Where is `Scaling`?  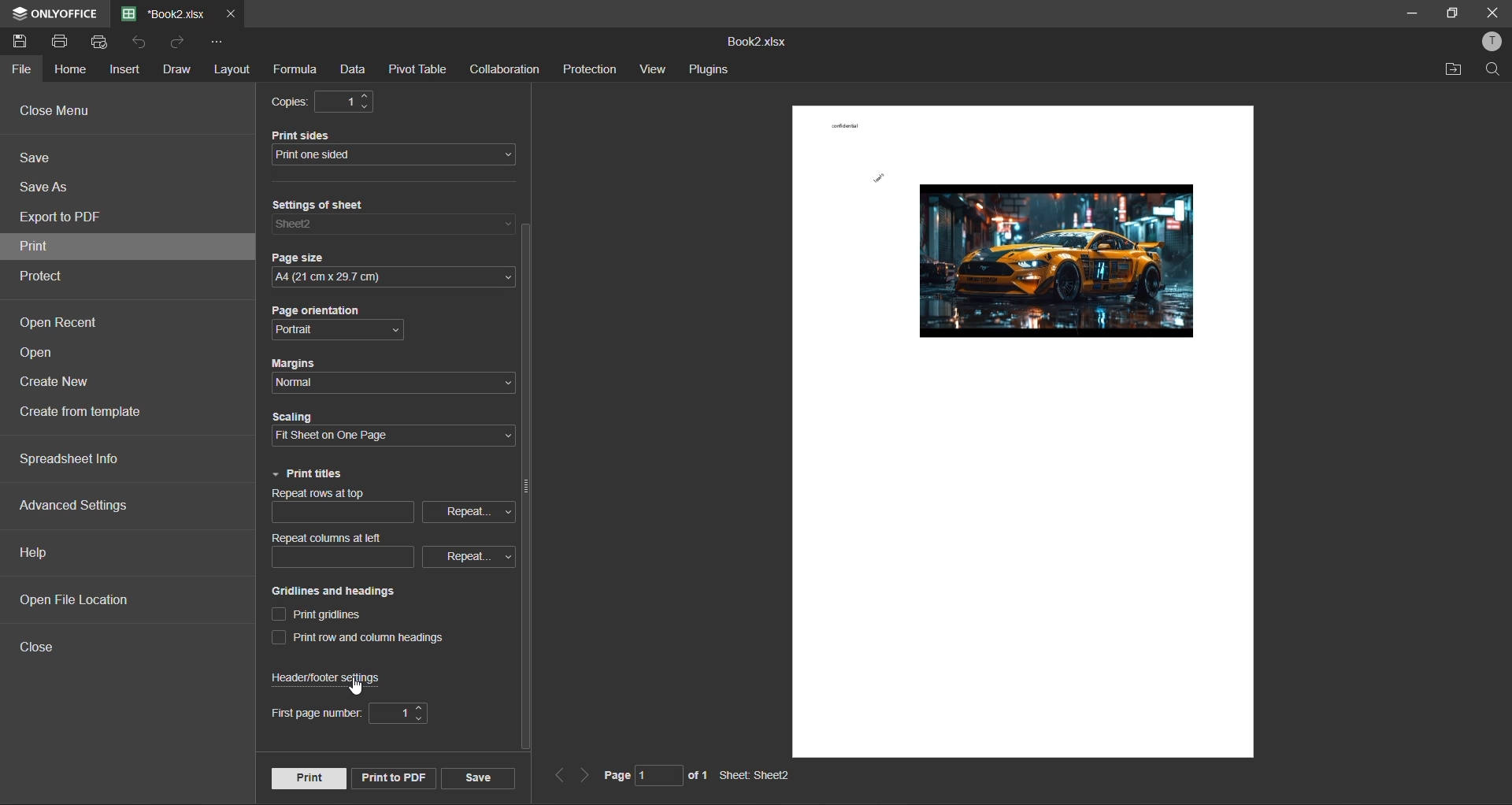
Scaling is located at coordinates (295, 417).